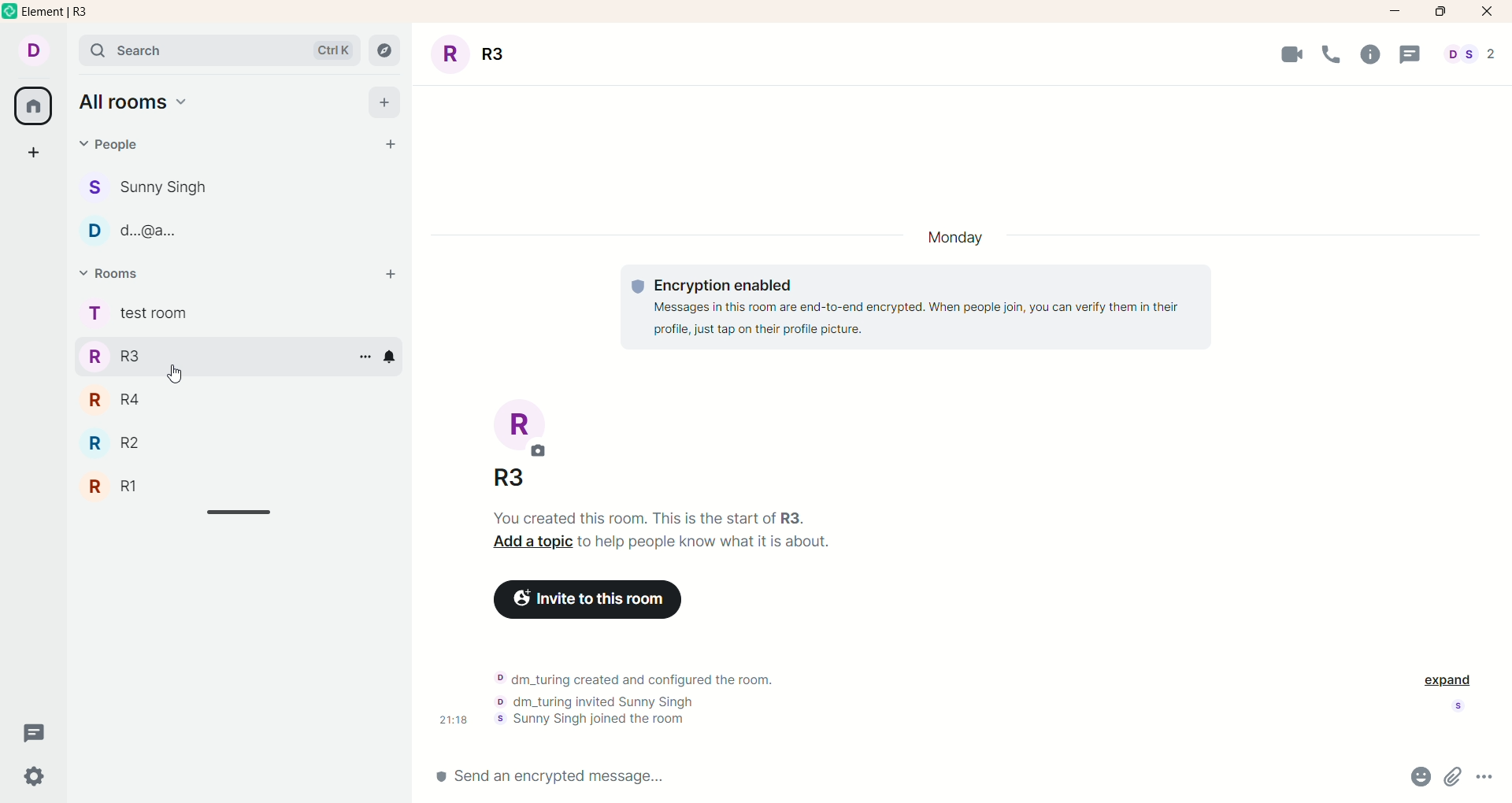 The image size is (1512, 803). I want to click on threads, so click(34, 735).